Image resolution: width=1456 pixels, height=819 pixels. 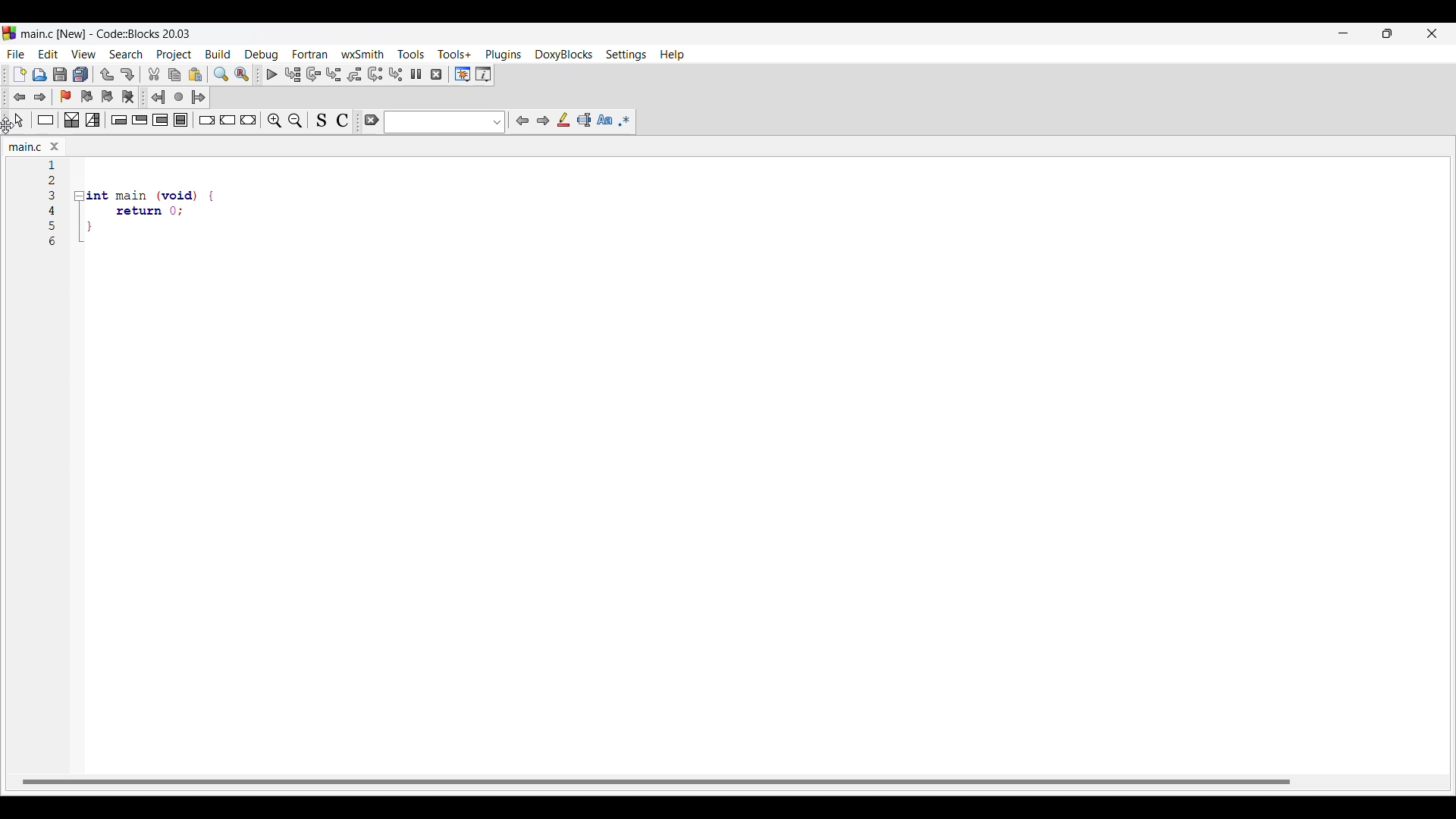 What do you see at coordinates (158, 97) in the screenshot?
I see `Jump back ` at bounding box center [158, 97].